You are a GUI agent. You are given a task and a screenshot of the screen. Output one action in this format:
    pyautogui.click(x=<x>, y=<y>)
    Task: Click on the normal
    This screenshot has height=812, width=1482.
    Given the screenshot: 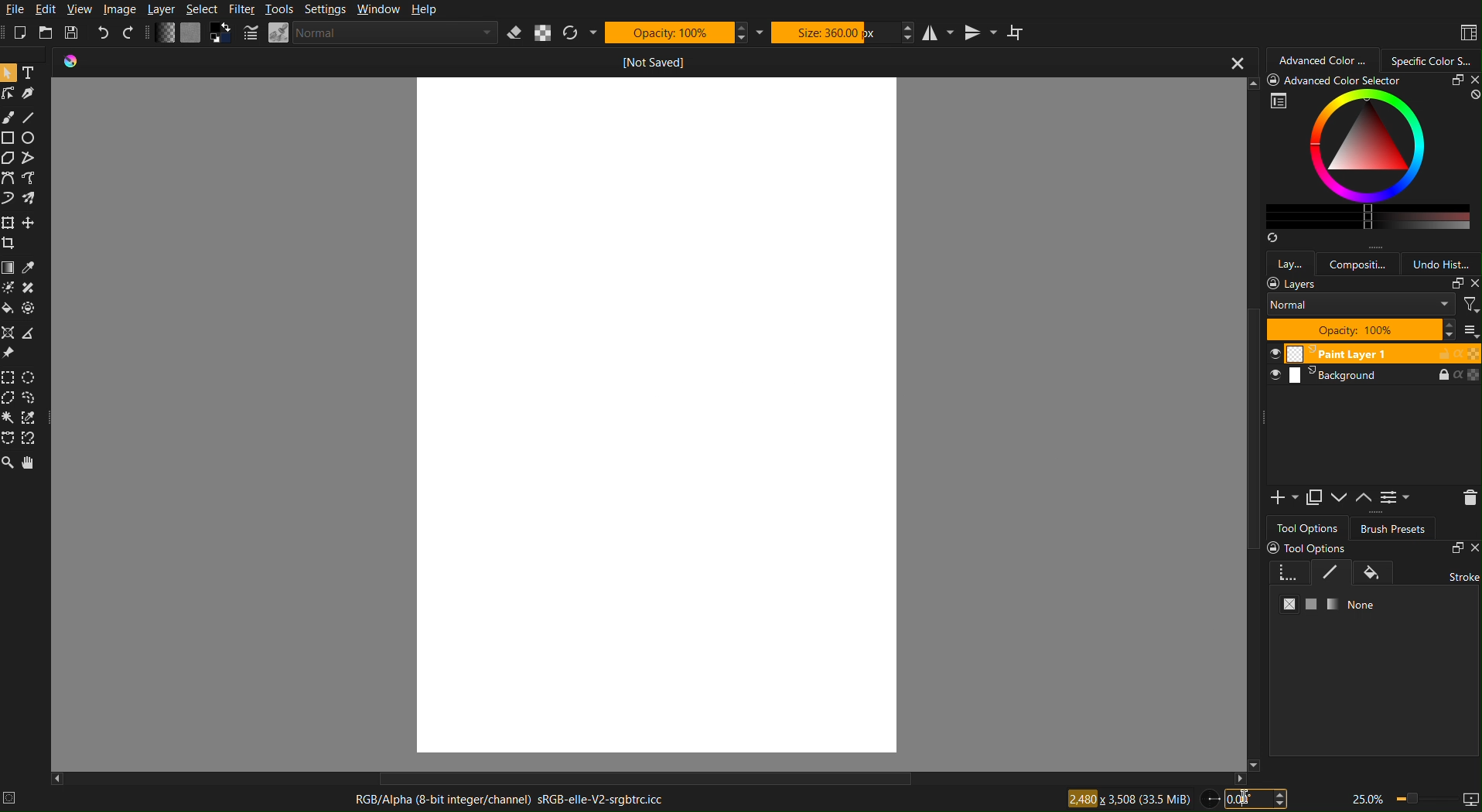 What is the action you would take?
    pyautogui.click(x=1361, y=306)
    